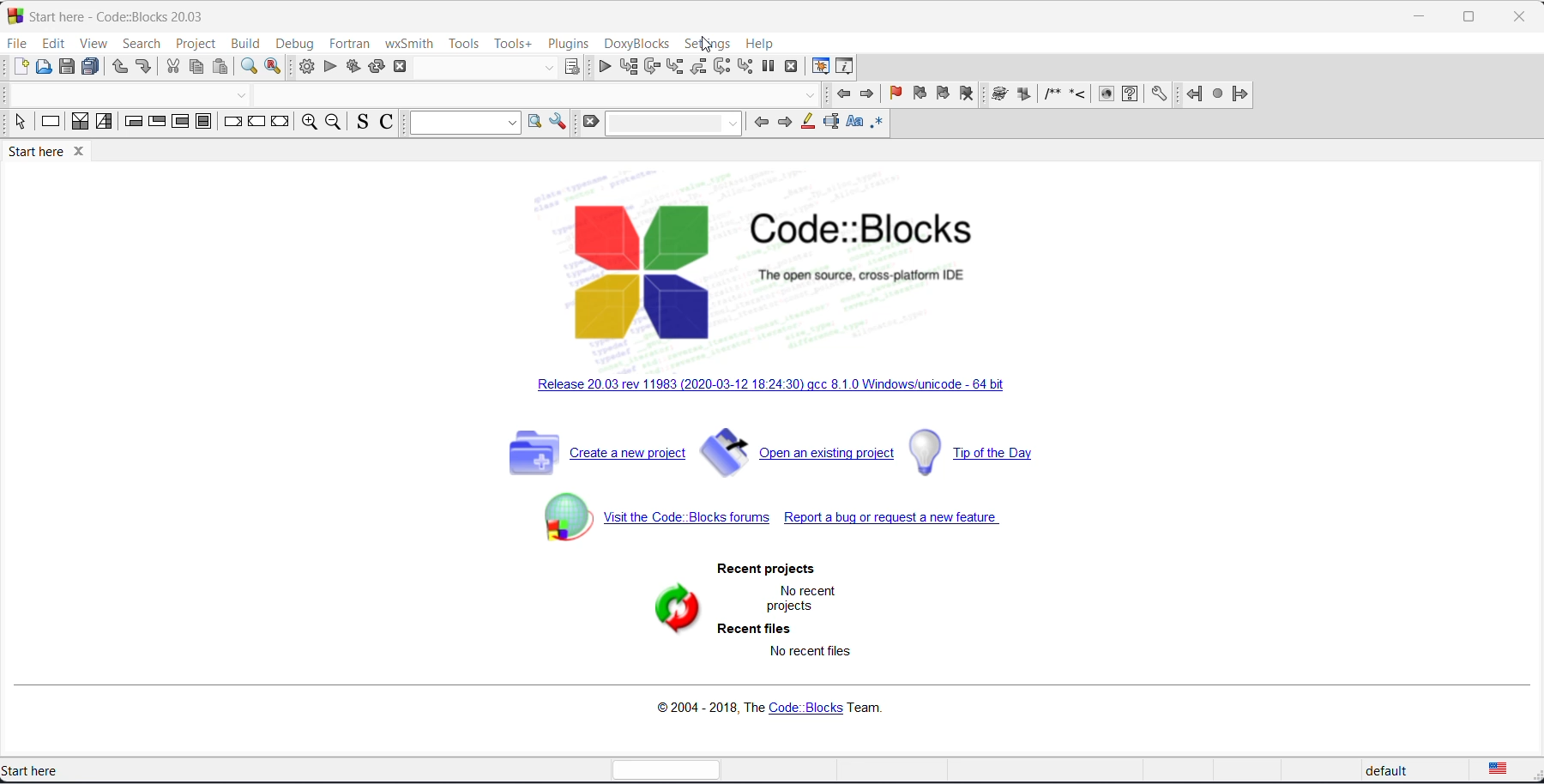 The height and width of the screenshot is (784, 1544). Describe the element at coordinates (305, 66) in the screenshot. I see `build` at that location.